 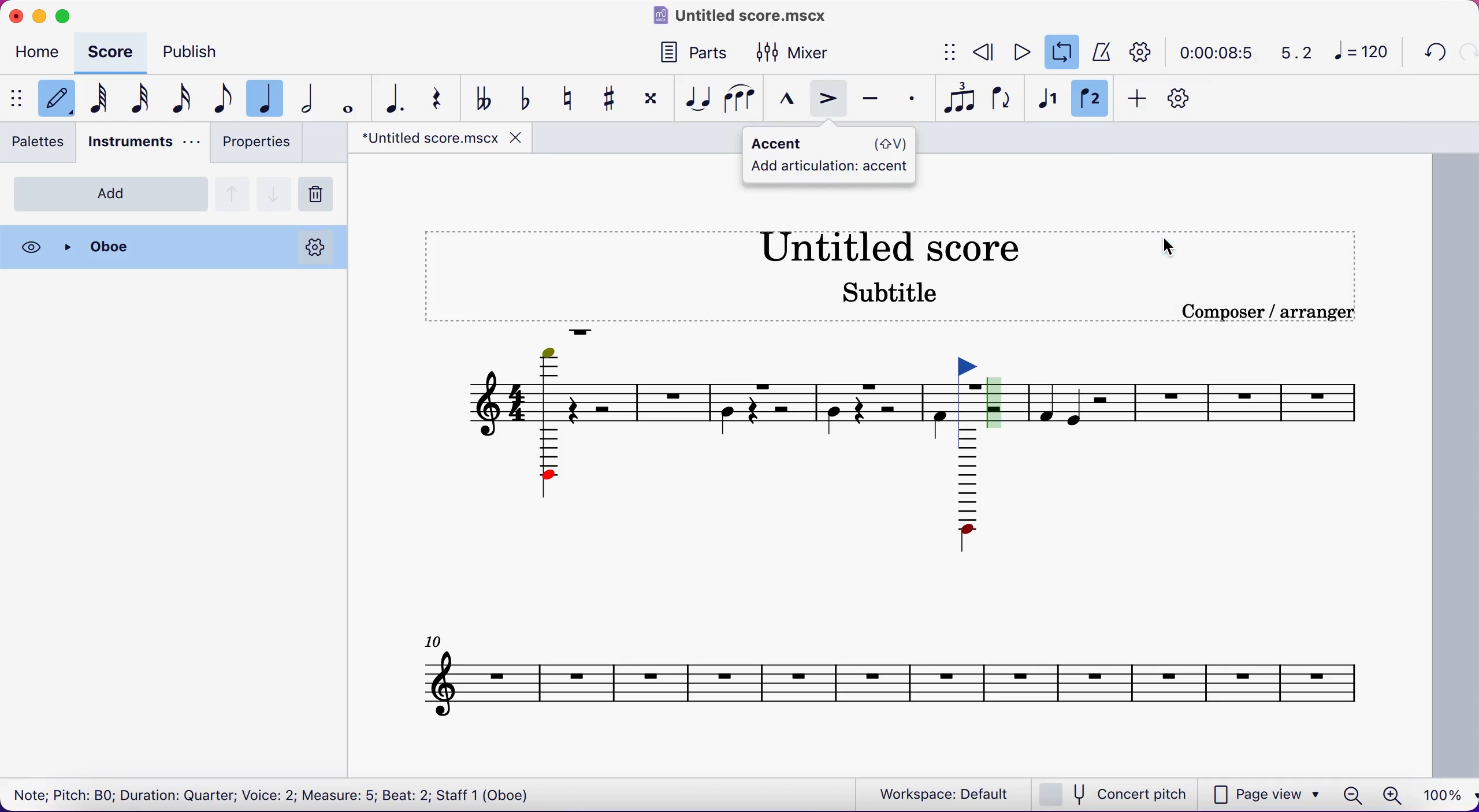 What do you see at coordinates (97, 100) in the screenshot?
I see `64th note` at bounding box center [97, 100].